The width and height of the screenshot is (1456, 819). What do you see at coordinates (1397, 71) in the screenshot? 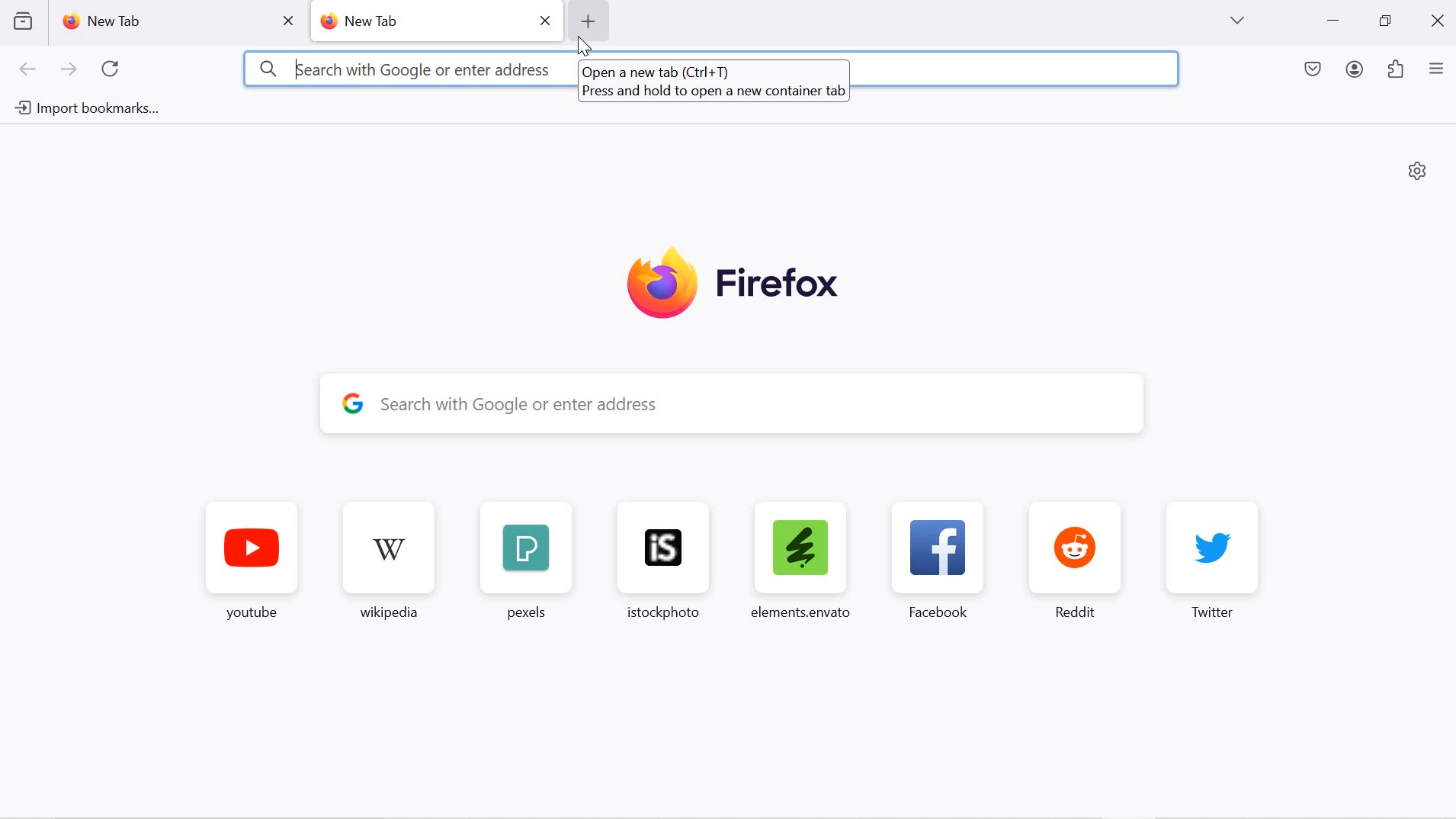
I see `extensions` at bounding box center [1397, 71].